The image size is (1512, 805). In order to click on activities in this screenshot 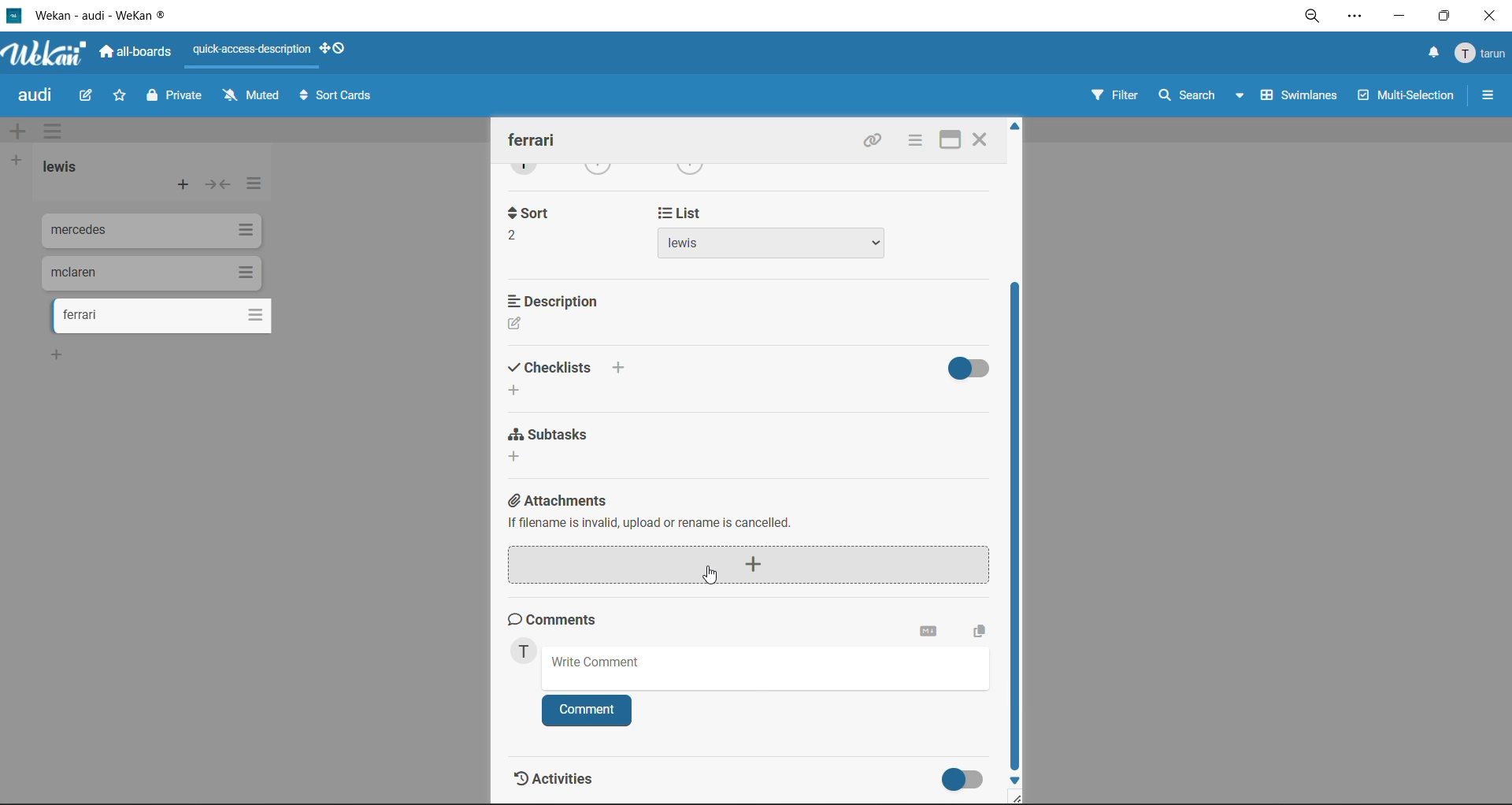, I will do `click(567, 783)`.